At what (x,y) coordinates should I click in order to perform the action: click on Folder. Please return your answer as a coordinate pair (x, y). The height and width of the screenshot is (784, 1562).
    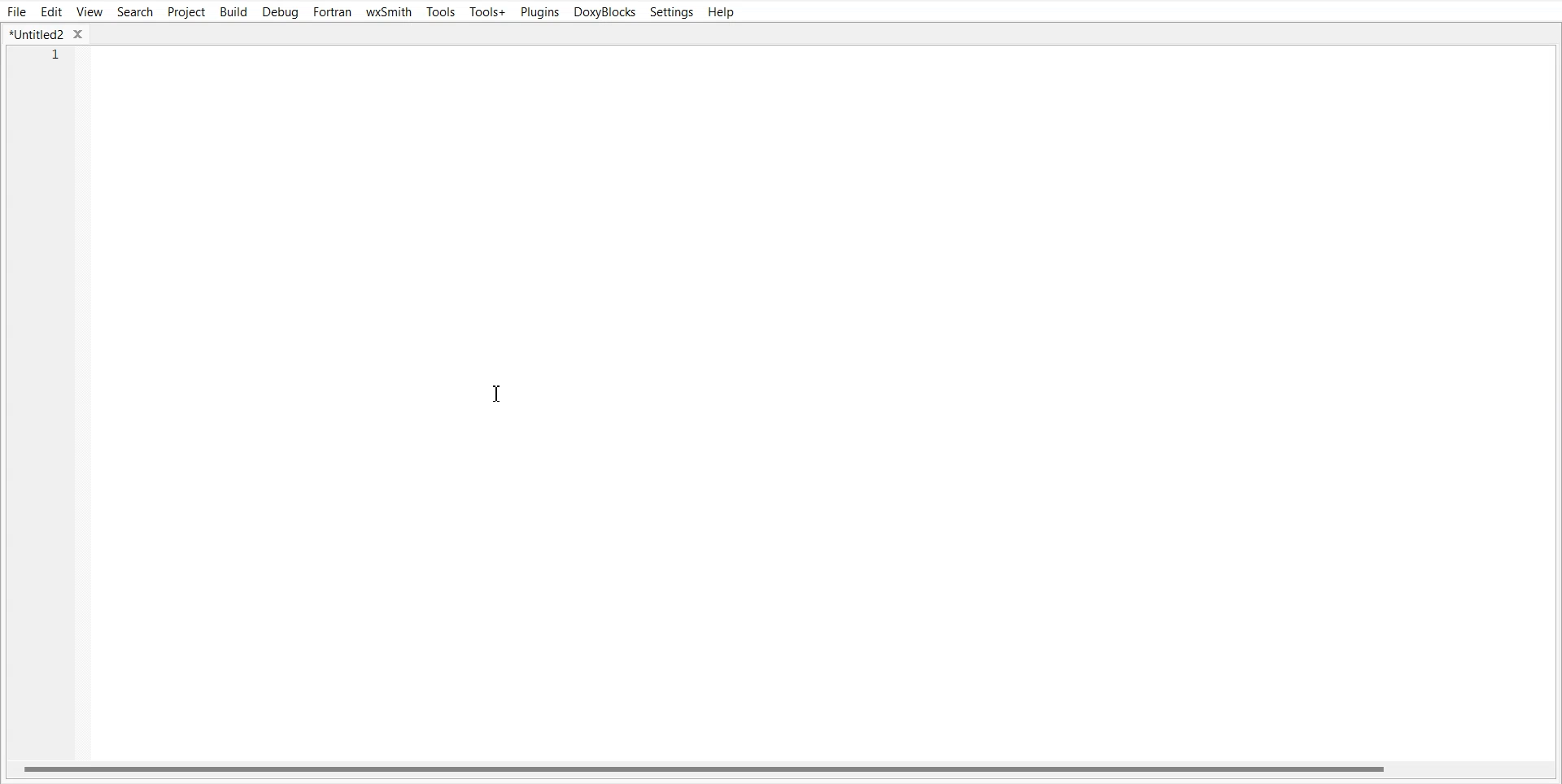
    Looking at the image, I should click on (47, 33).